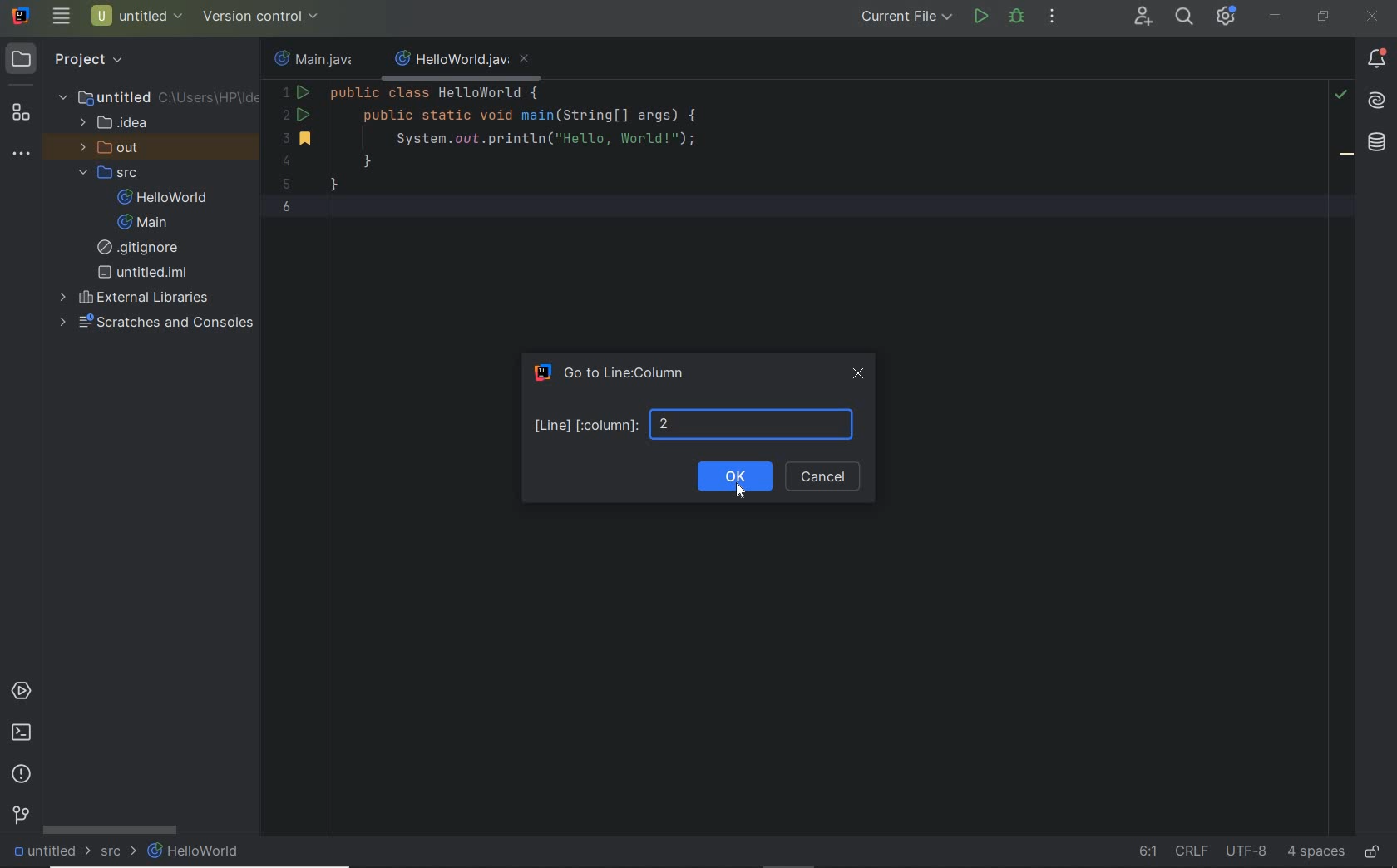 This screenshot has height=868, width=1397. What do you see at coordinates (119, 851) in the screenshot?
I see `src` at bounding box center [119, 851].